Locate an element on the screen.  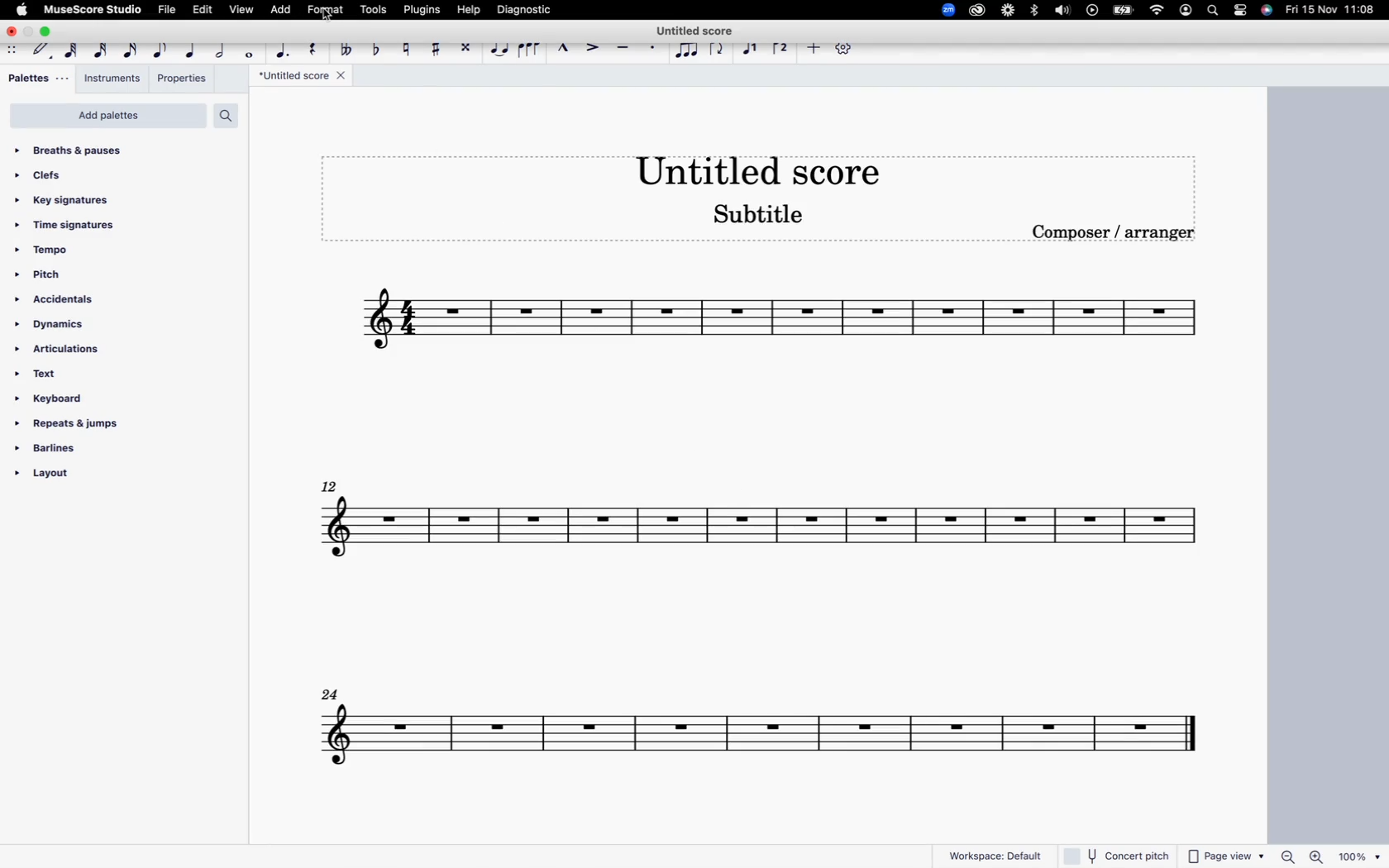
eight note is located at coordinates (160, 50).